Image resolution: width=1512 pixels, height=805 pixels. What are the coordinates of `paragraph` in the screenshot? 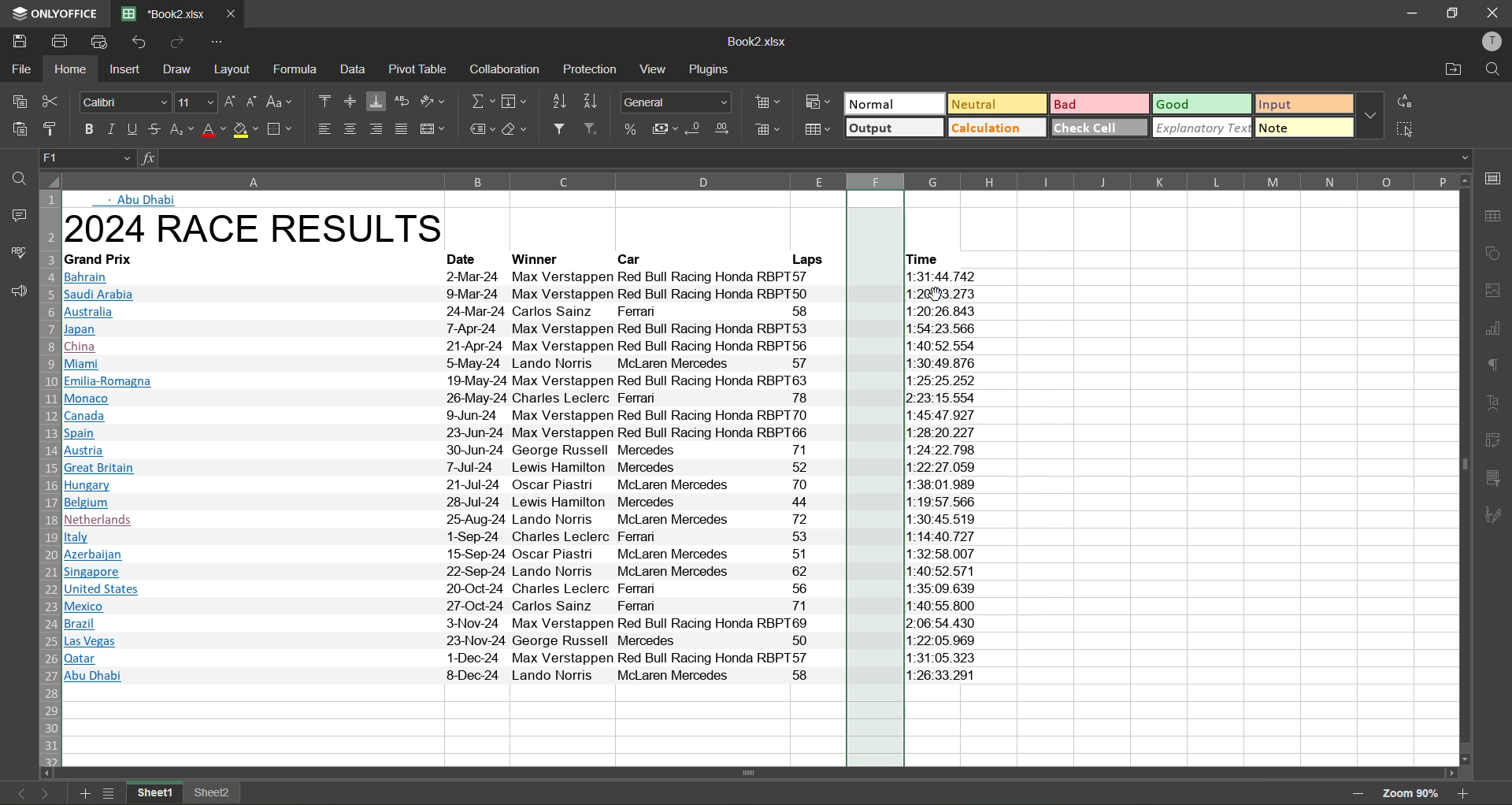 It's located at (1497, 366).